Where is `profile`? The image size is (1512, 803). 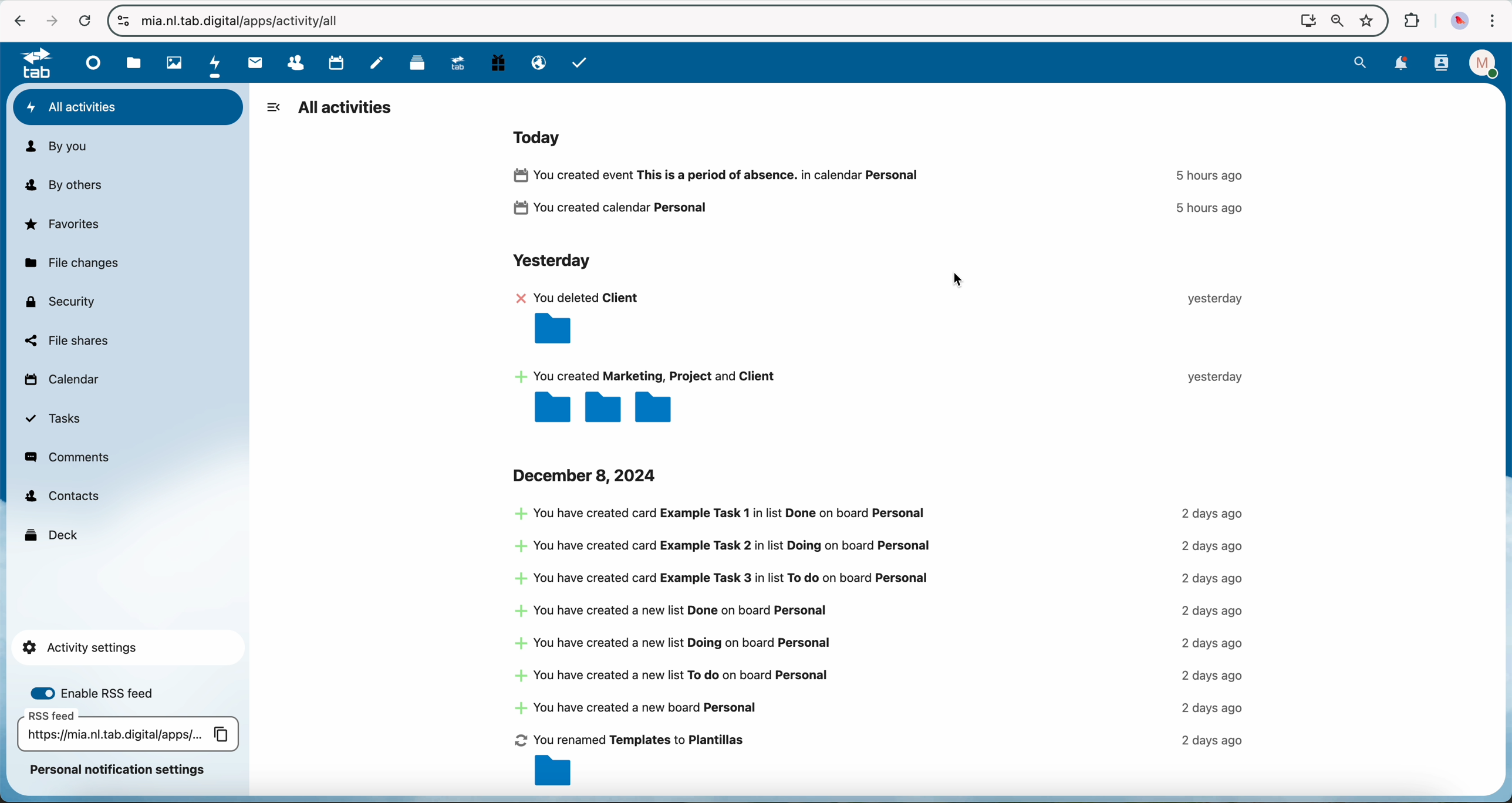
profile is located at coordinates (1486, 63).